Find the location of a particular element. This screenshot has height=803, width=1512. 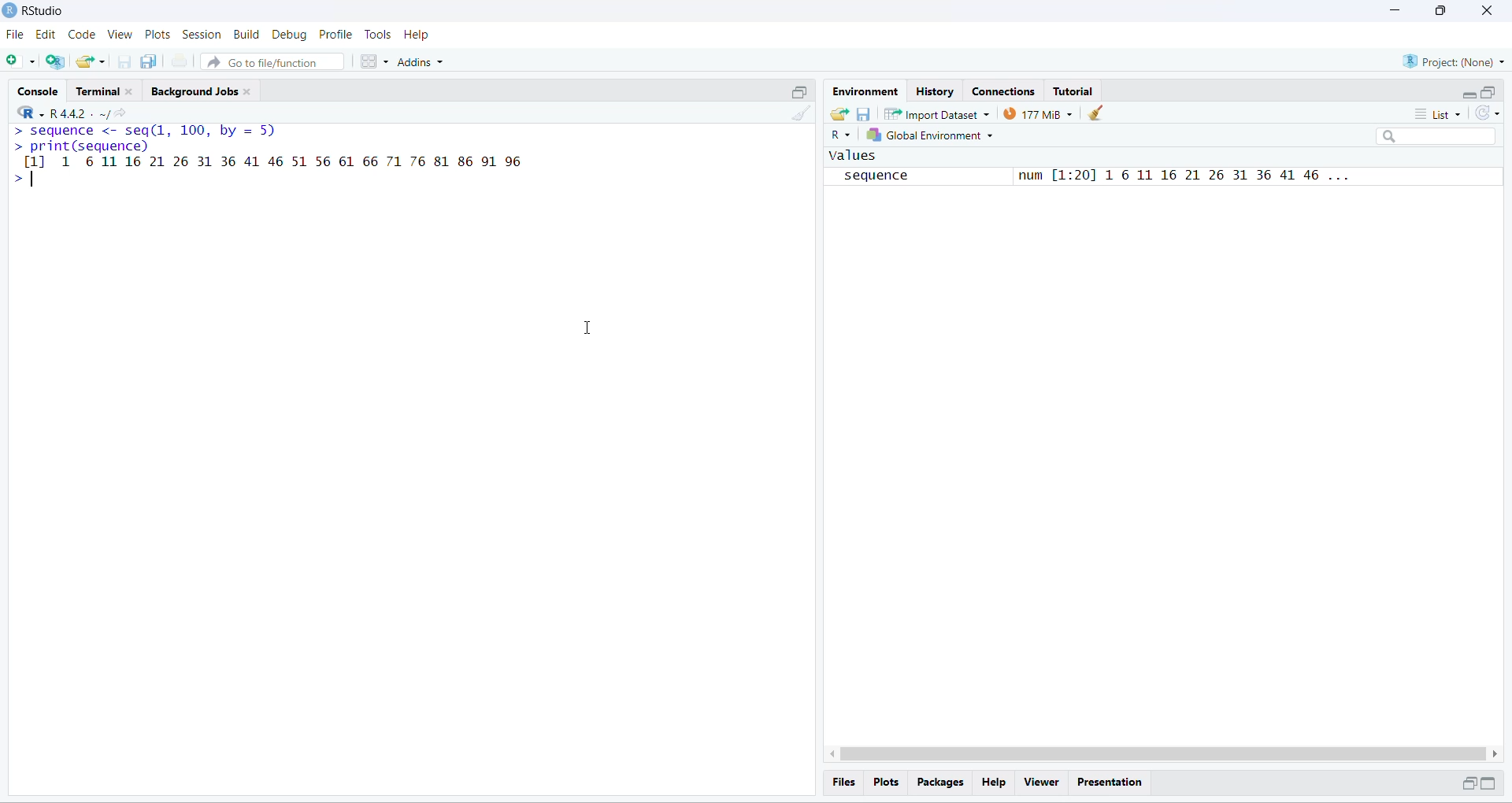

save is located at coordinates (864, 115).